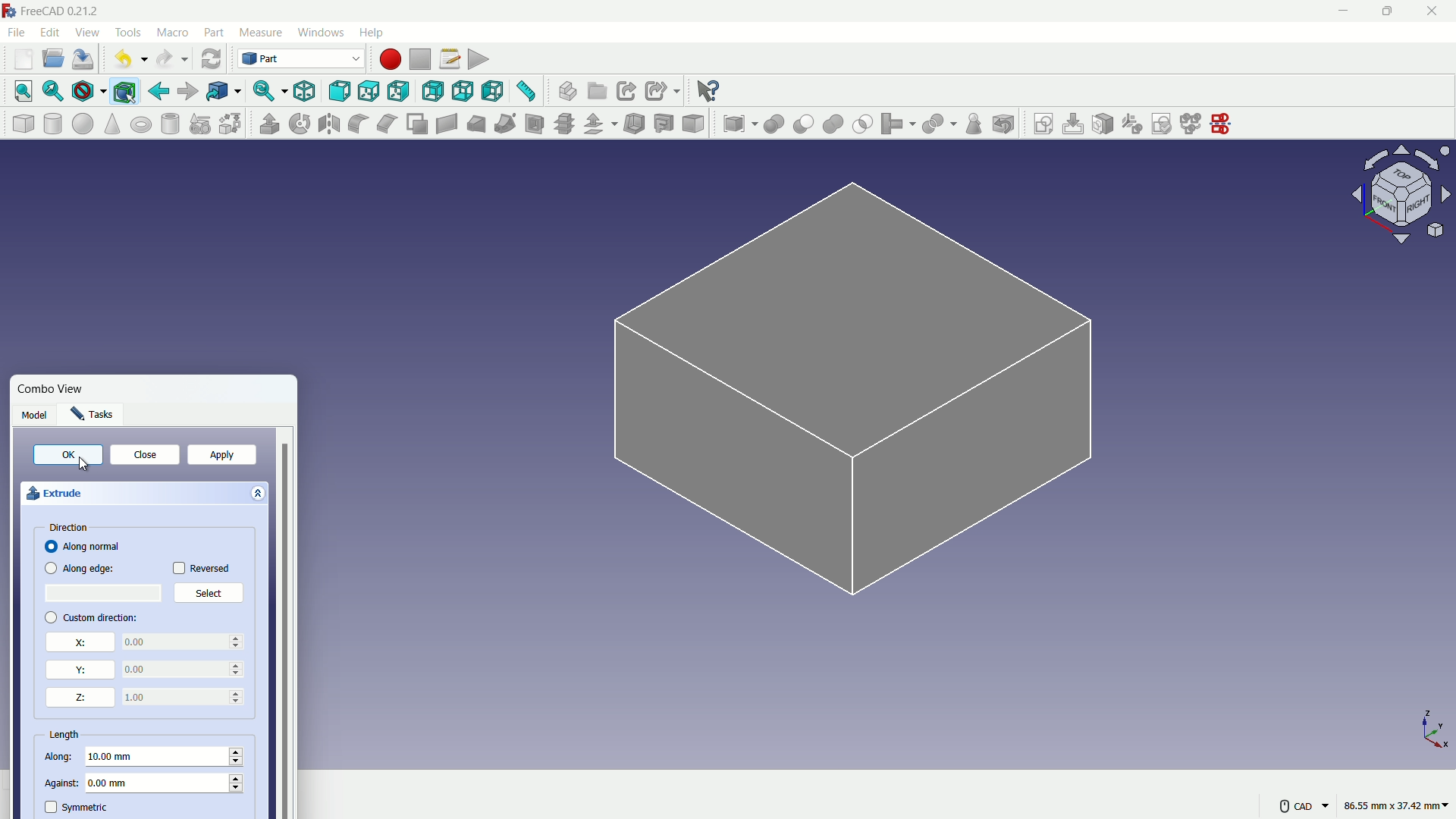  I want to click on sphere, so click(83, 123).